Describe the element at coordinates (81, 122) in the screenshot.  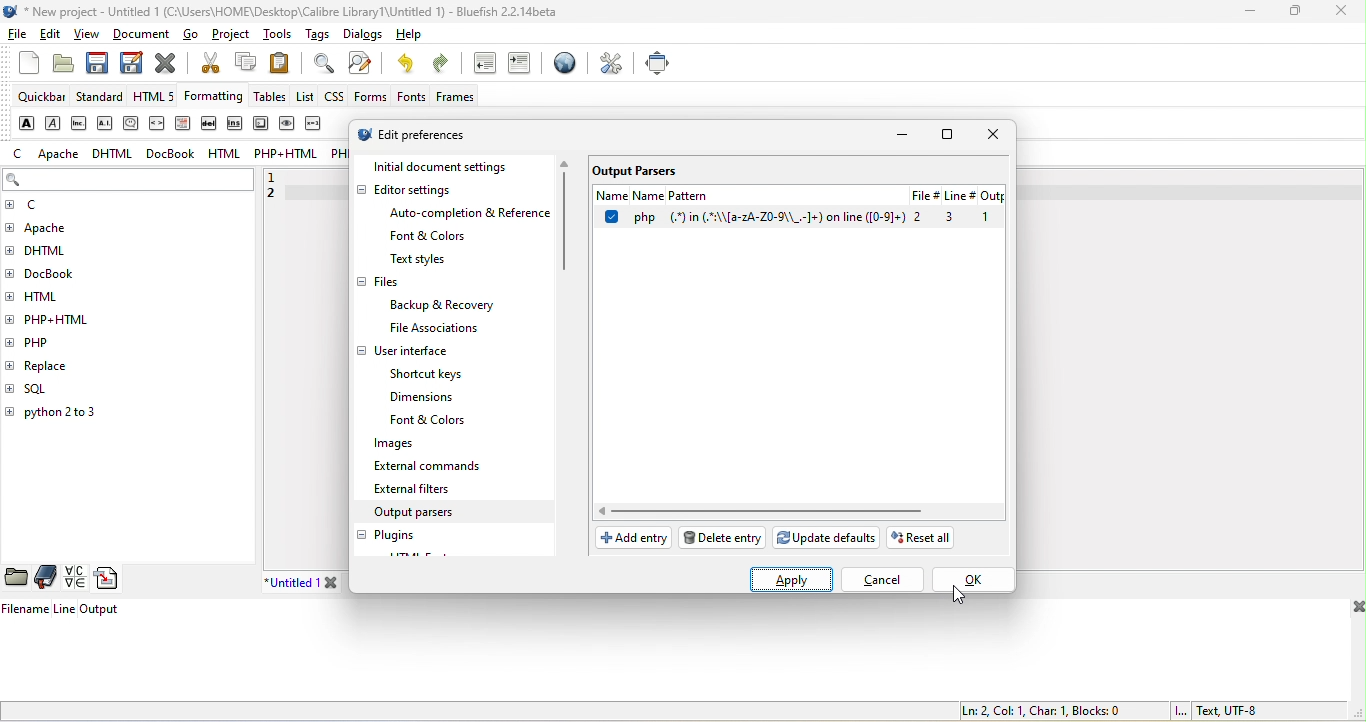
I see `abbreviation` at that location.